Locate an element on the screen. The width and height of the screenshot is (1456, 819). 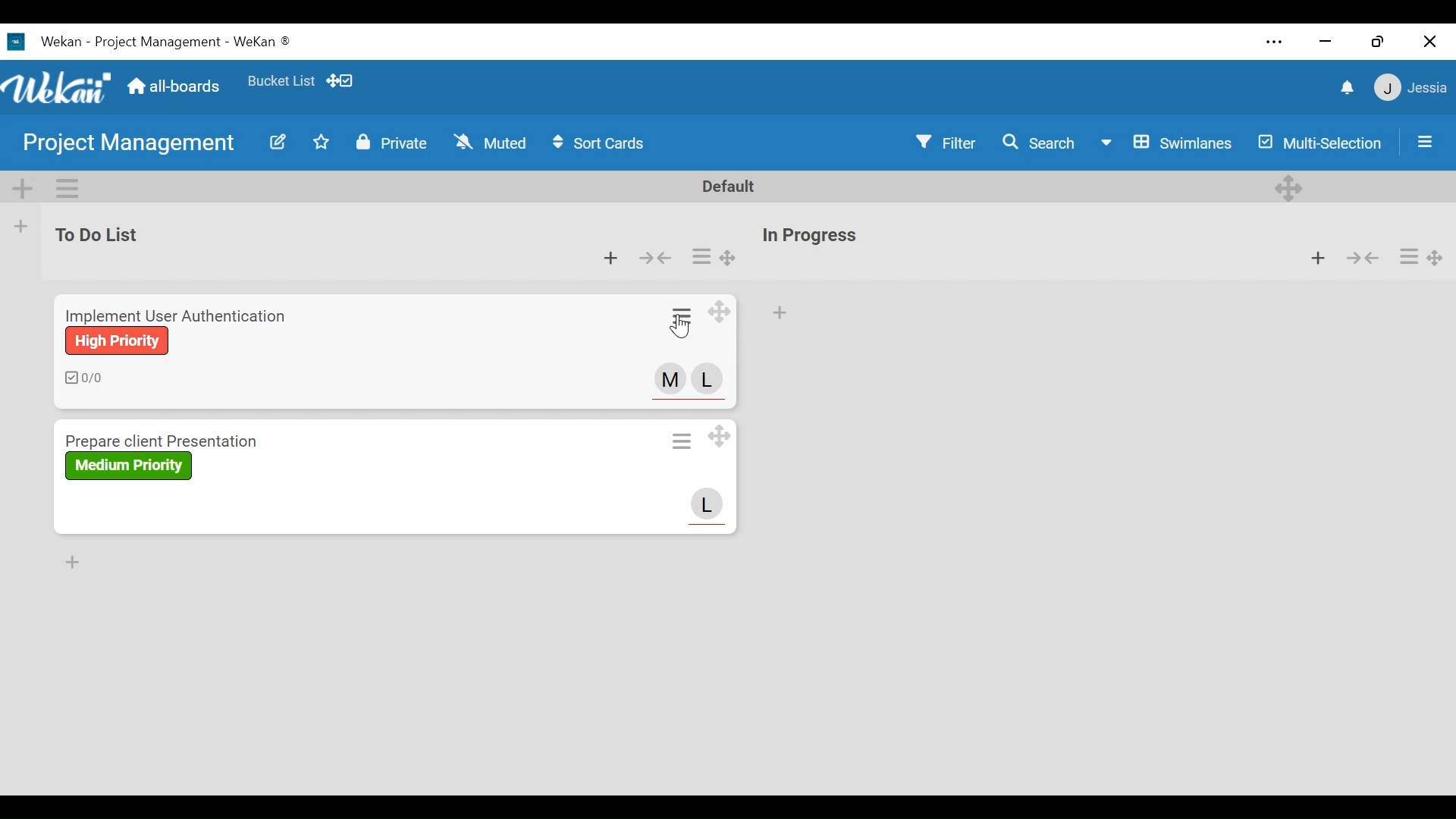
Swimlane Actions is located at coordinates (70, 188).